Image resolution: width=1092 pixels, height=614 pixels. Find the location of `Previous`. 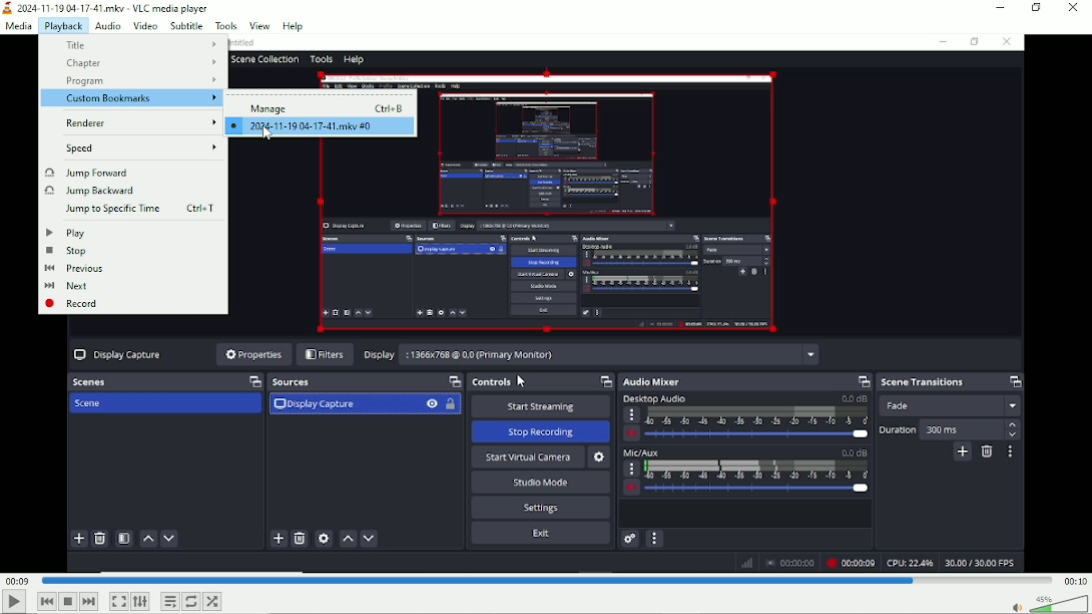

Previous is located at coordinates (47, 601).